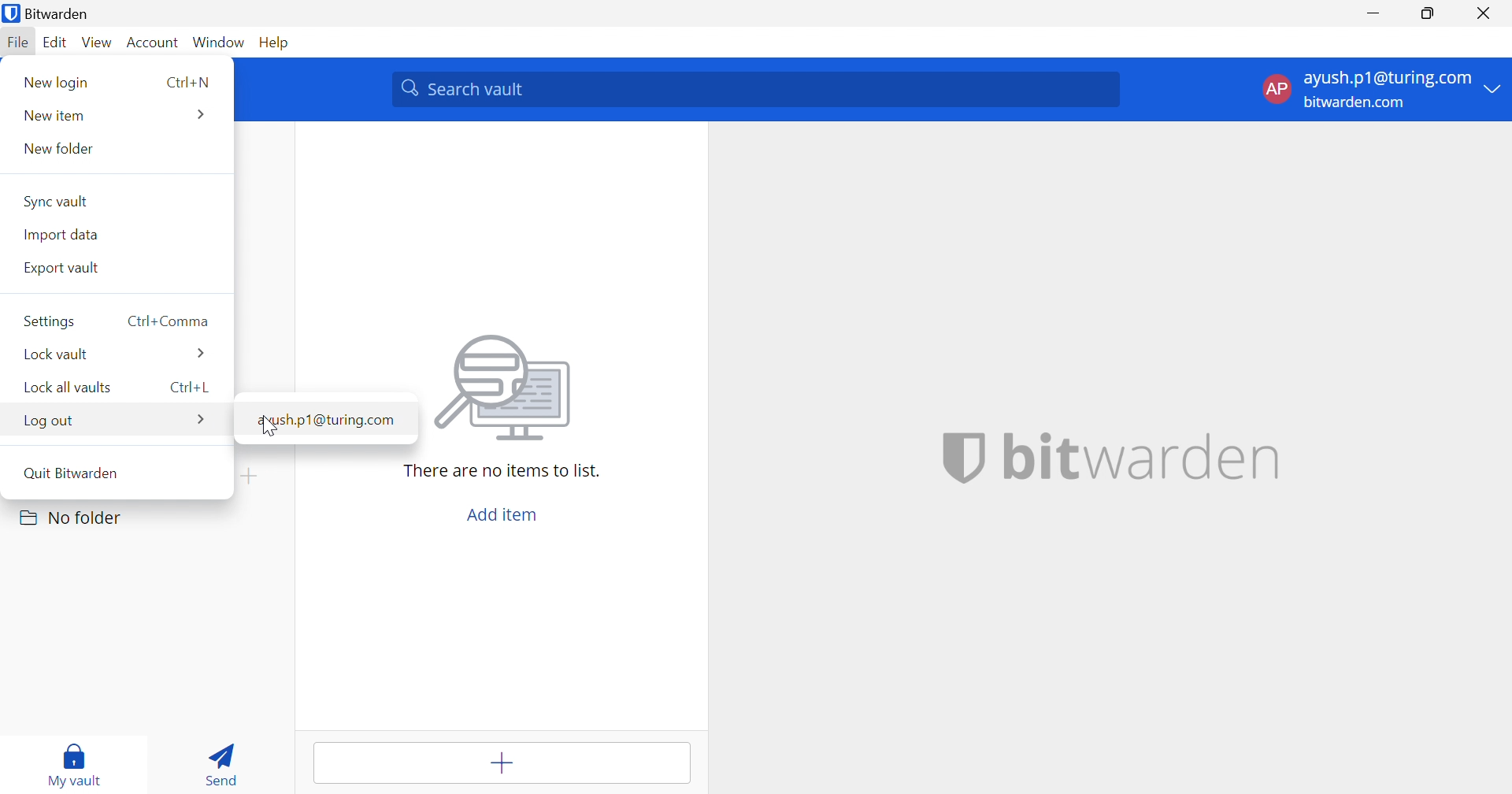 This screenshot has height=794, width=1512. Describe the element at coordinates (60, 234) in the screenshot. I see `Import data` at that location.